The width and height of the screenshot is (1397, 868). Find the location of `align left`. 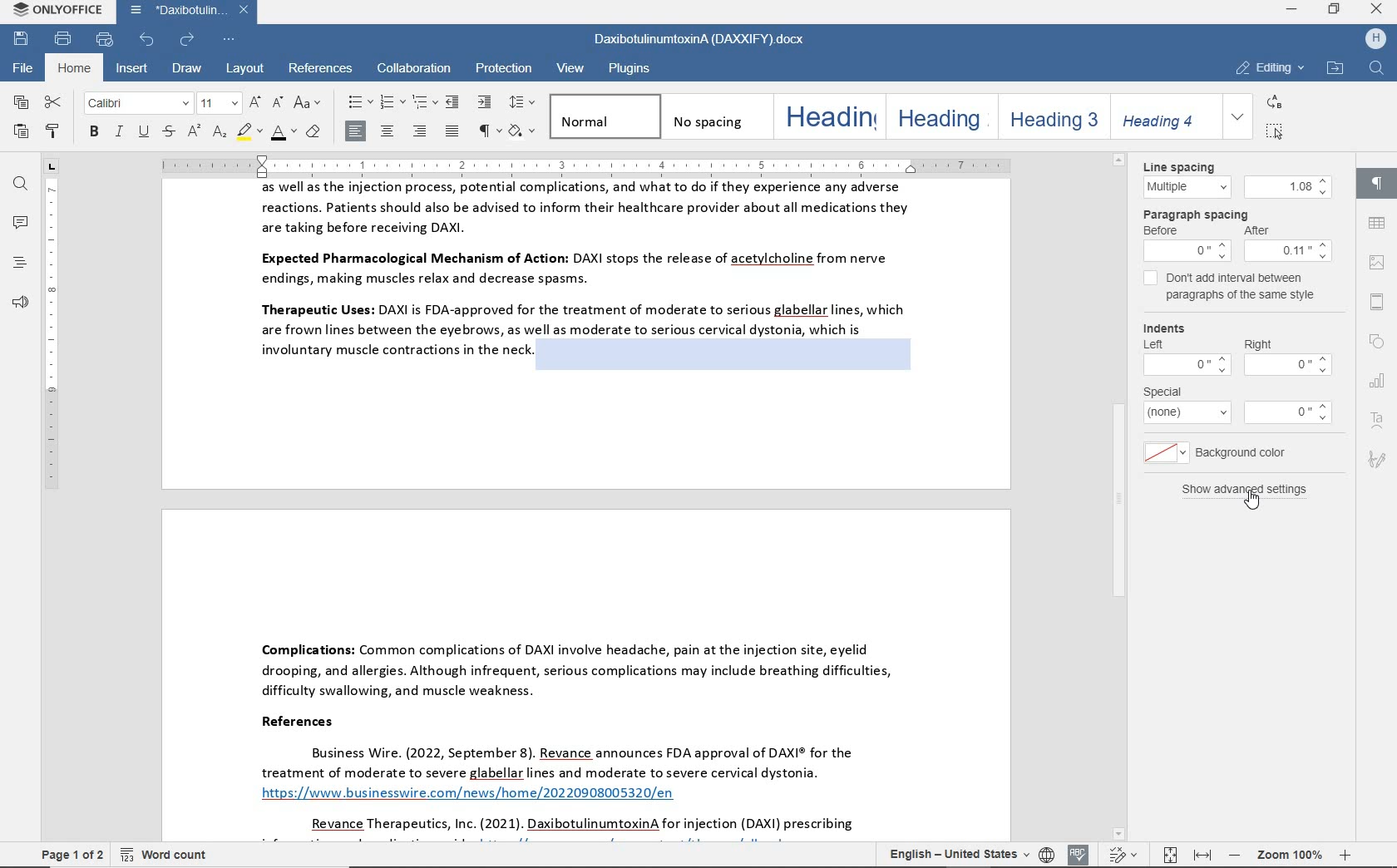

align left is located at coordinates (357, 131).